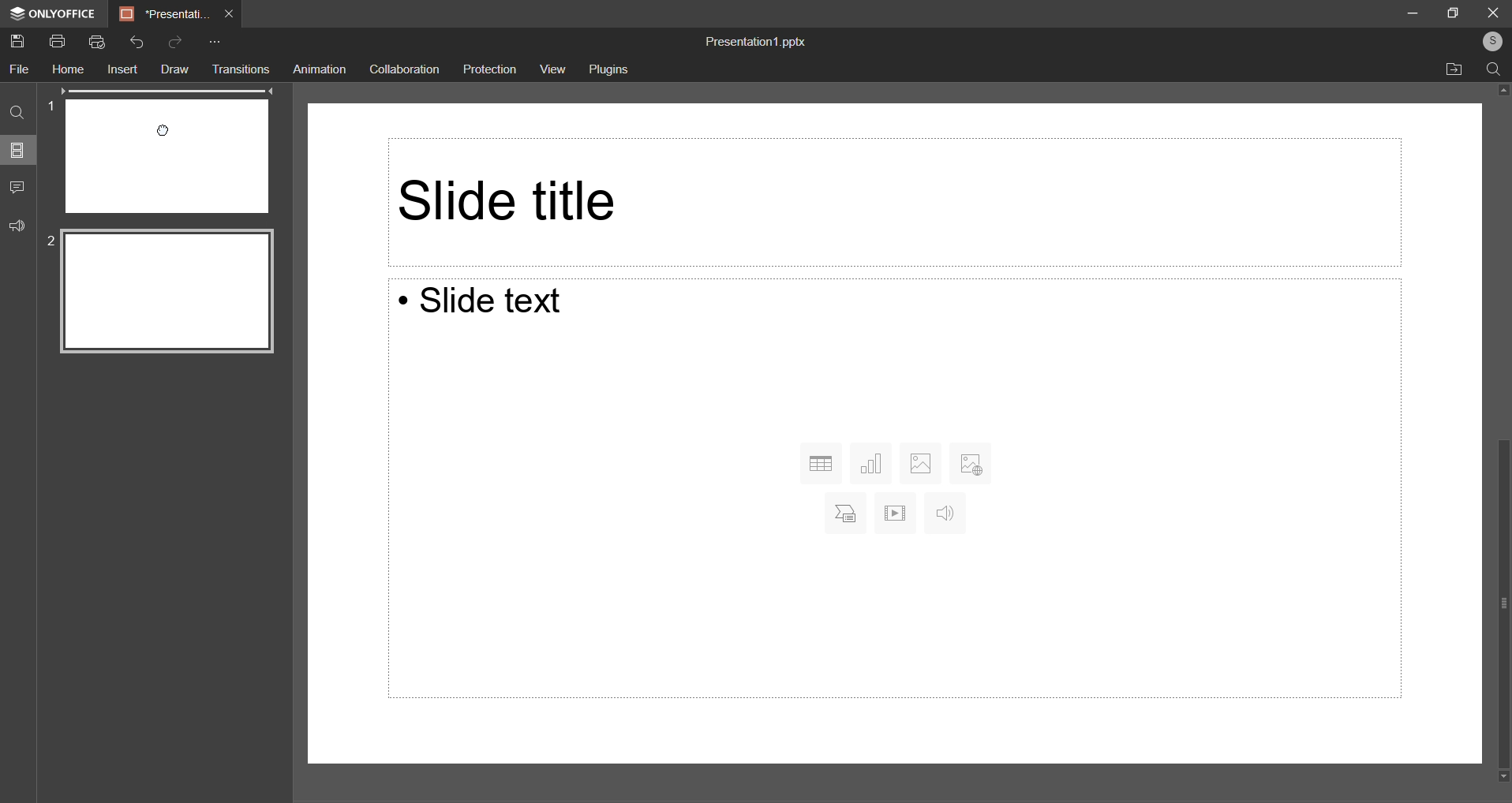 The image size is (1512, 803). Describe the element at coordinates (58, 41) in the screenshot. I see `Print` at that location.